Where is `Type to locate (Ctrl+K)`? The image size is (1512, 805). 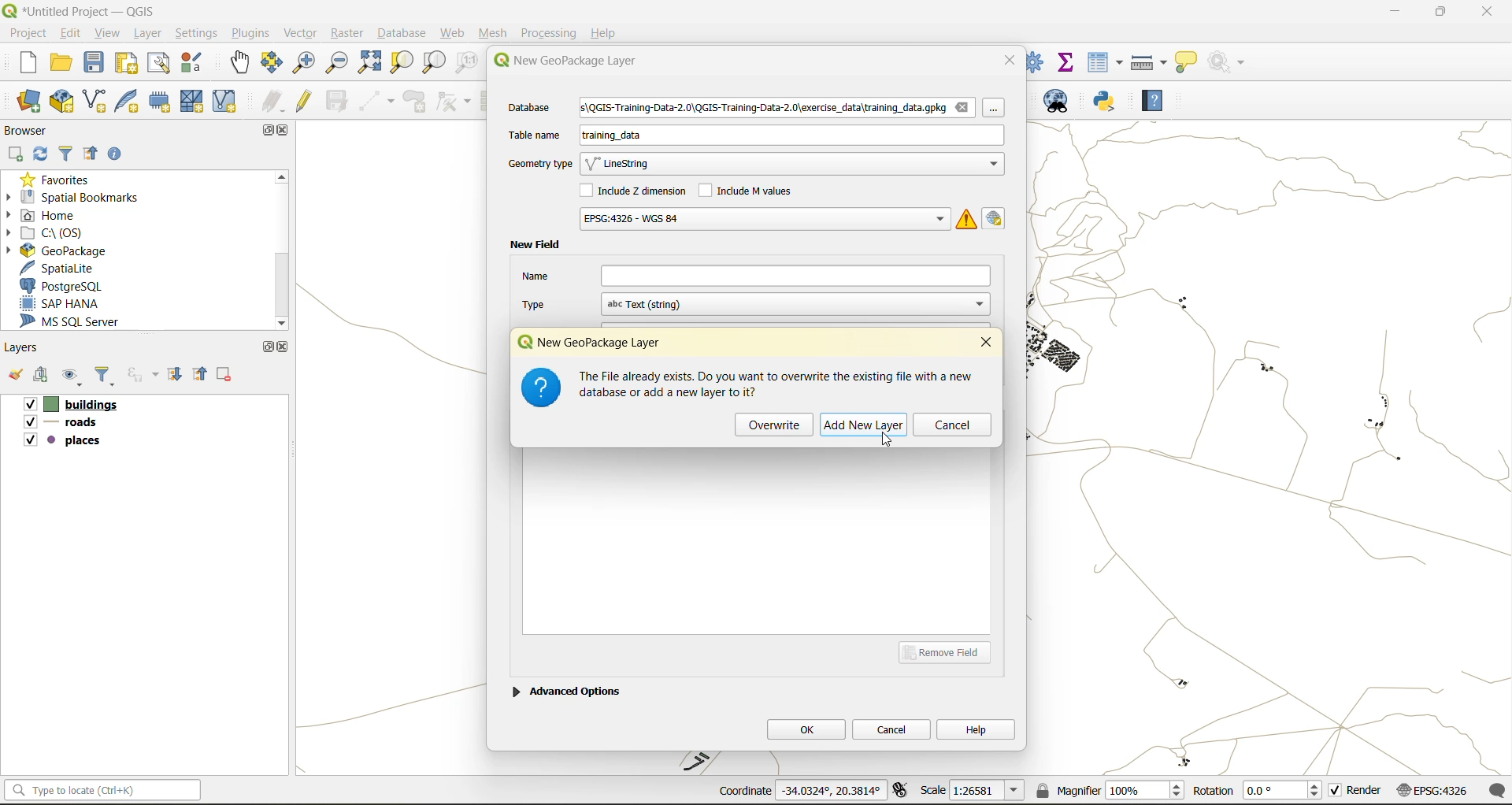
Type to locate (Ctrl+K) is located at coordinates (102, 784).